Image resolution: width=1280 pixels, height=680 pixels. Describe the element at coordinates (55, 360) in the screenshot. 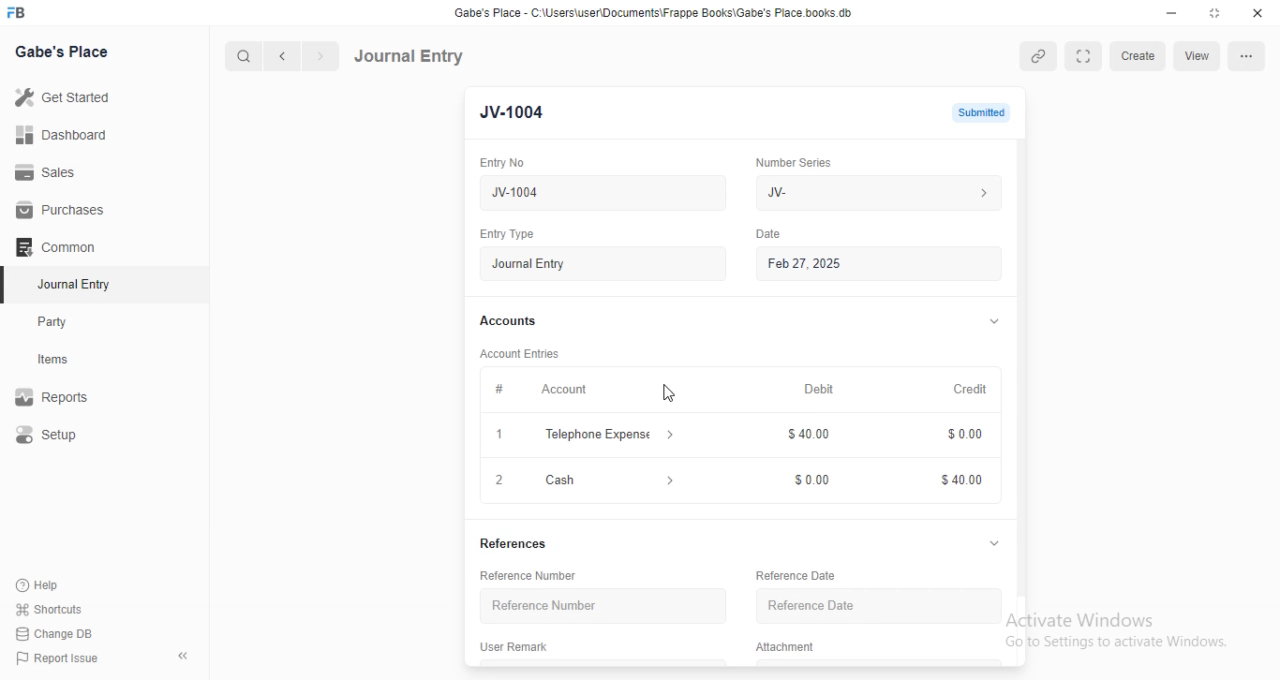

I see `Items` at that location.